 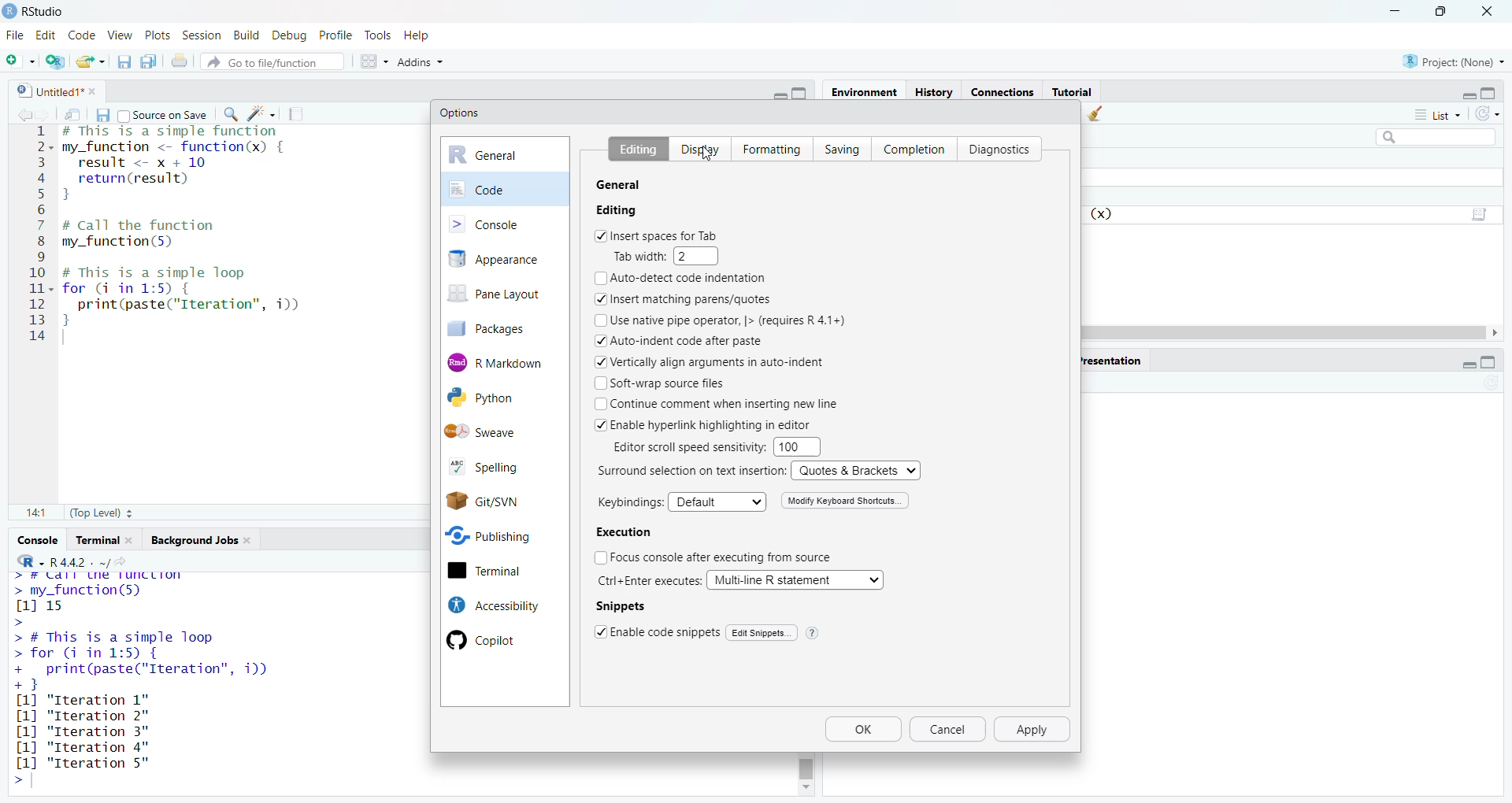 What do you see at coordinates (864, 731) in the screenshot?
I see `Ok` at bounding box center [864, 731].